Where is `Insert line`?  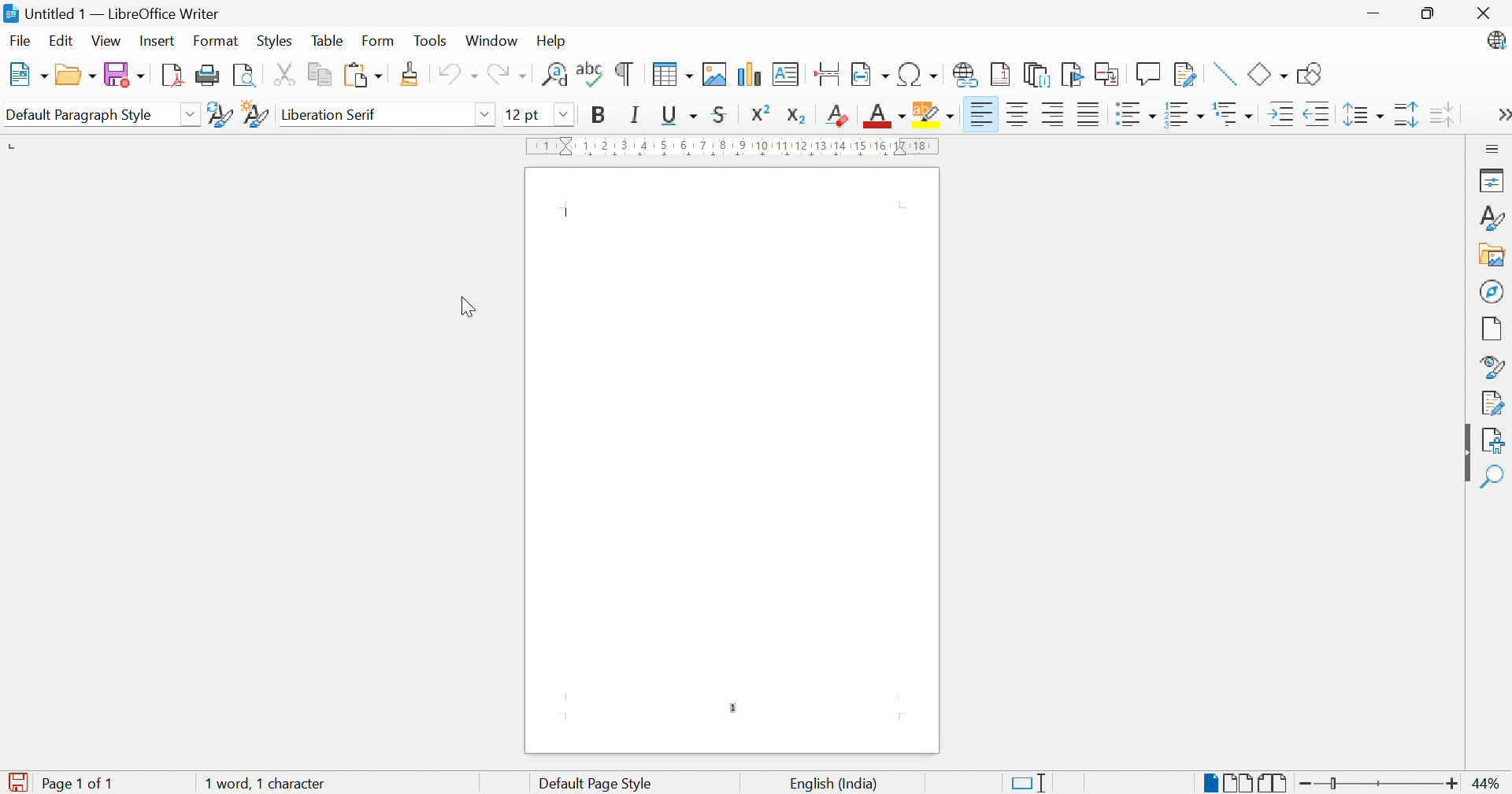
Insert line is located at coordinates (1222, 74).